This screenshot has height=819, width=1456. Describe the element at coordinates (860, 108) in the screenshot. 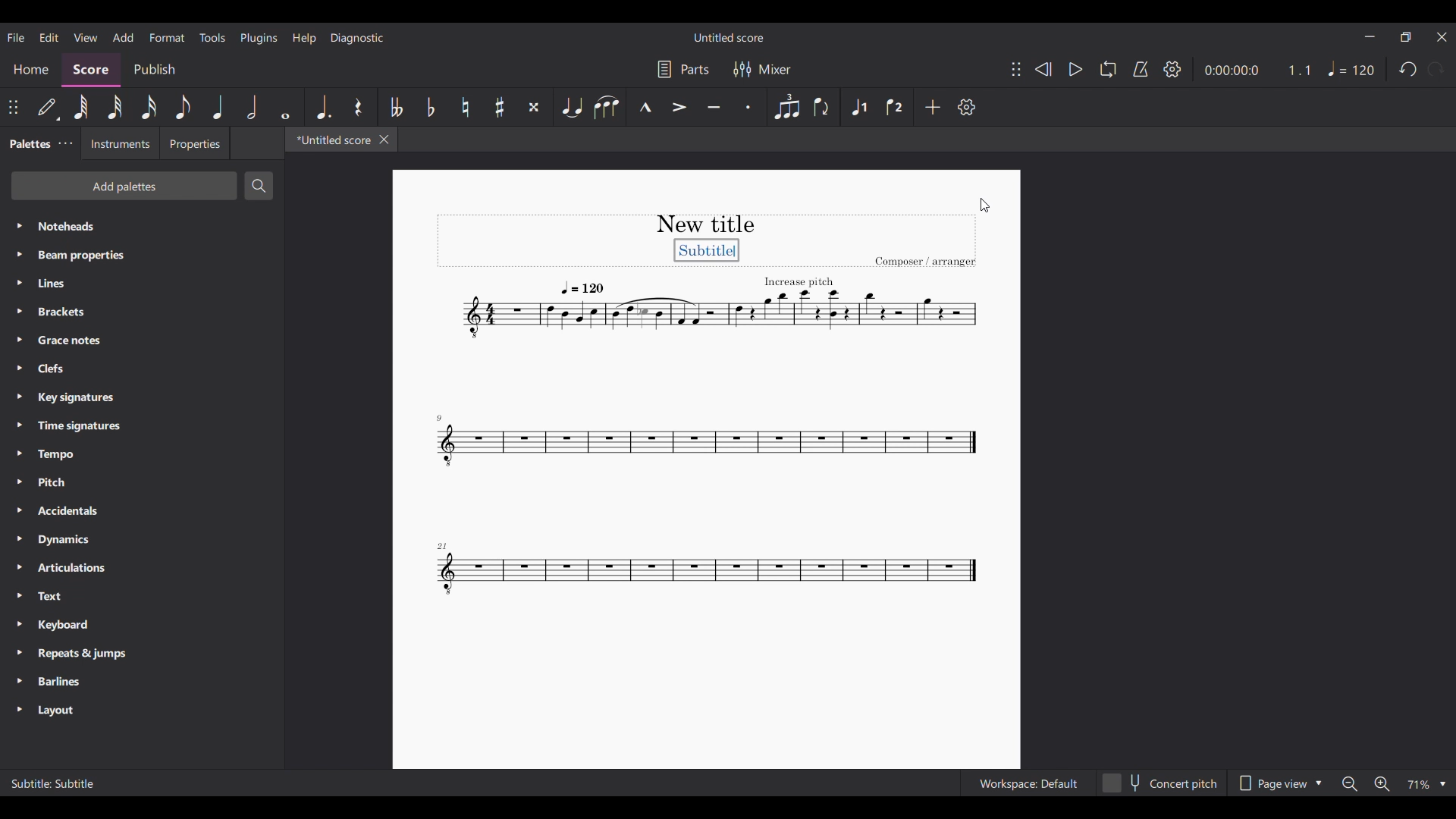

I see `Voice 1` at that location.